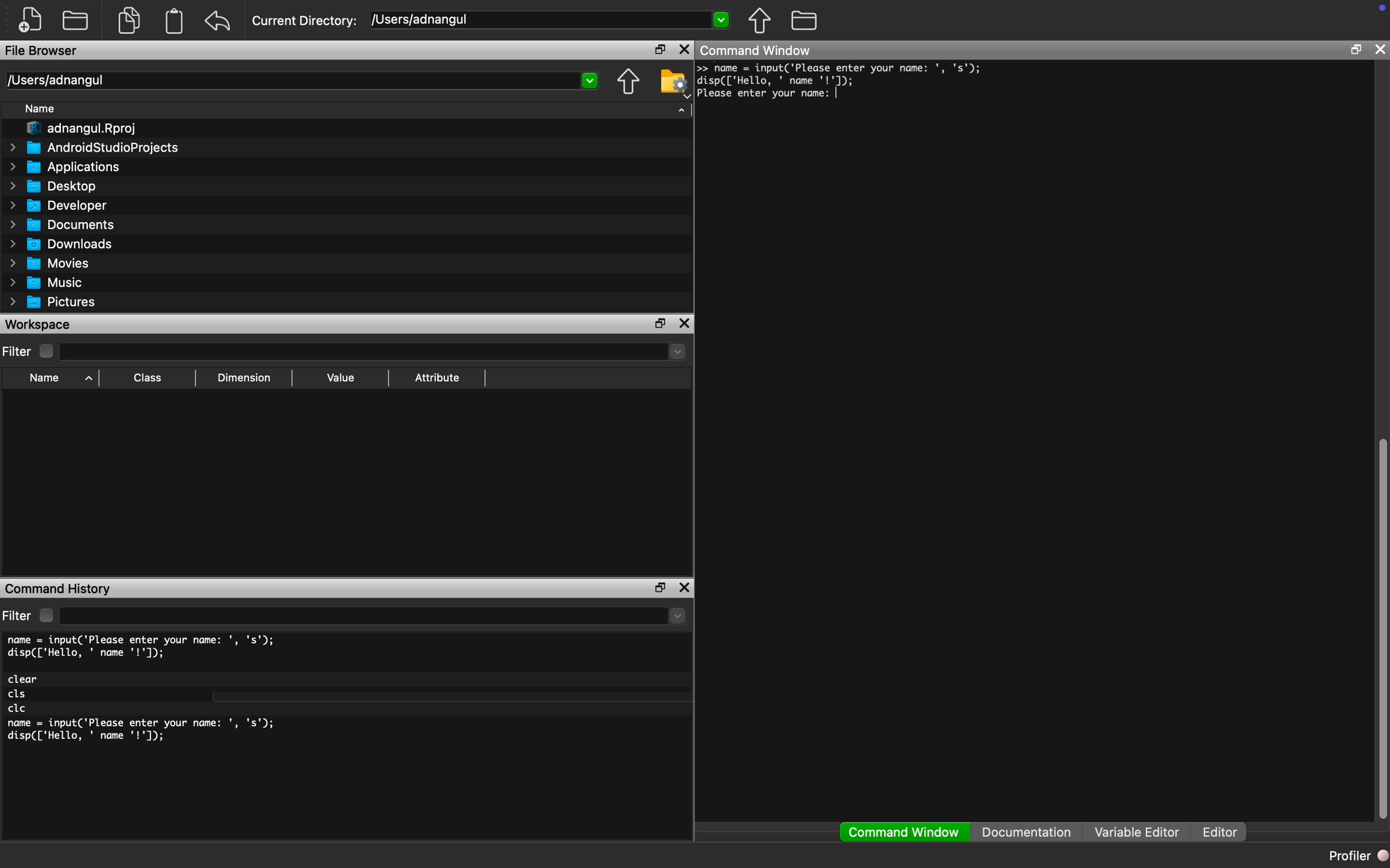 The height and width of the screenshot is (868, 1390). I want to click on Value, so click(341, 377).